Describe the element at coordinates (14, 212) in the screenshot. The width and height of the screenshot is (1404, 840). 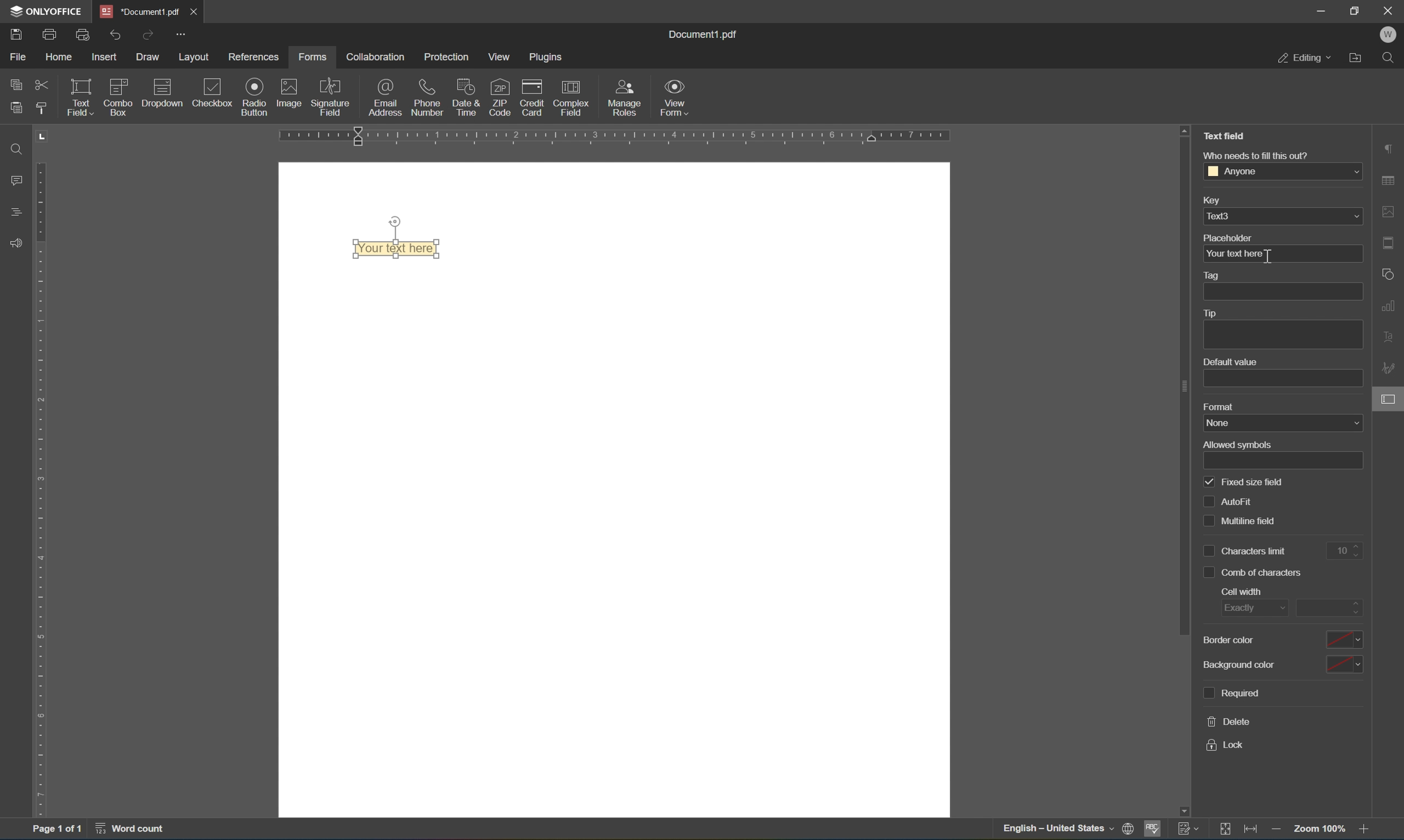
I see `headings` at that location.